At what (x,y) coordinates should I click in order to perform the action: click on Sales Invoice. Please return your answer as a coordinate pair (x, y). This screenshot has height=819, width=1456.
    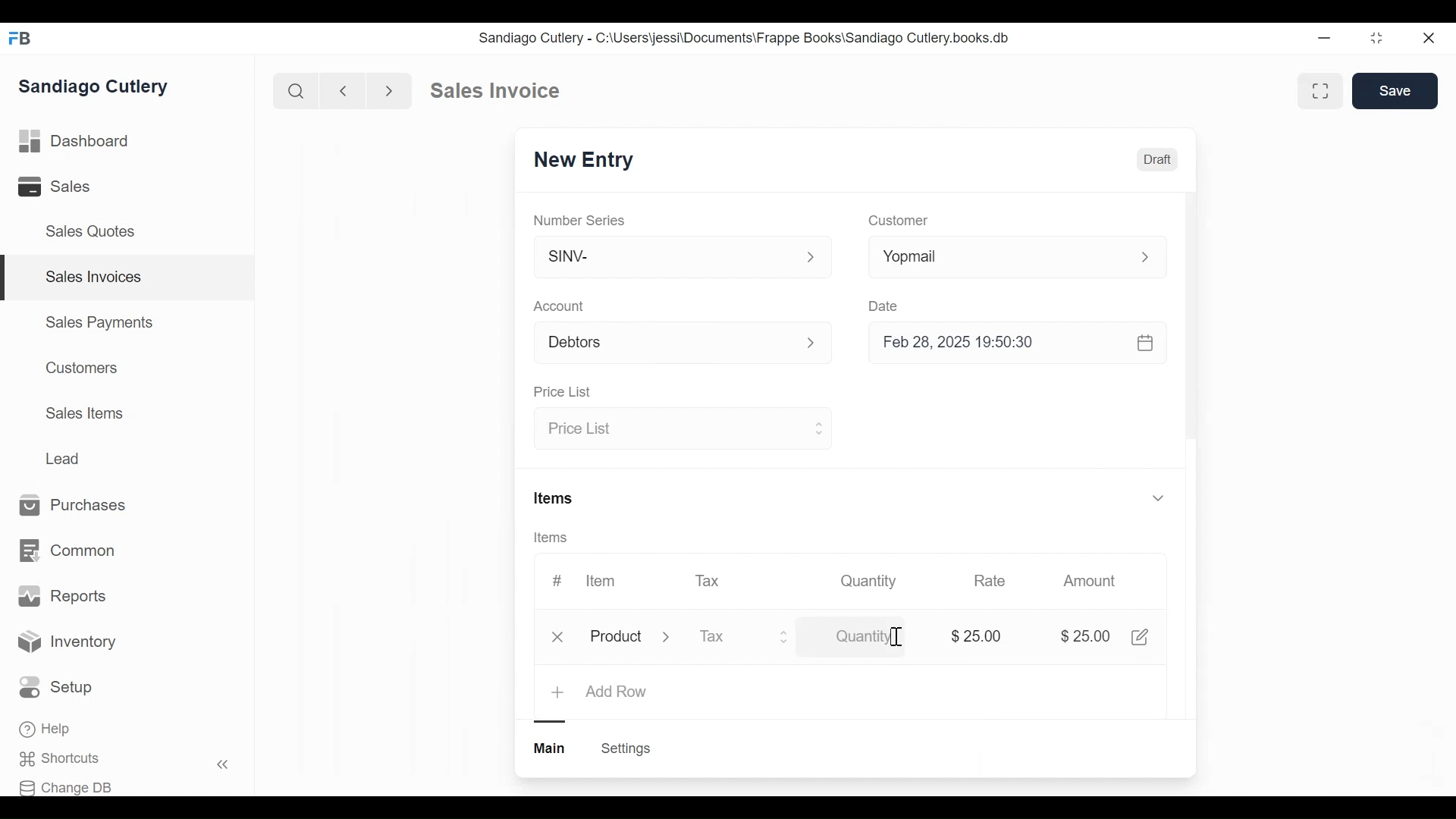
    Looking at the image, I should click on (494, 91).